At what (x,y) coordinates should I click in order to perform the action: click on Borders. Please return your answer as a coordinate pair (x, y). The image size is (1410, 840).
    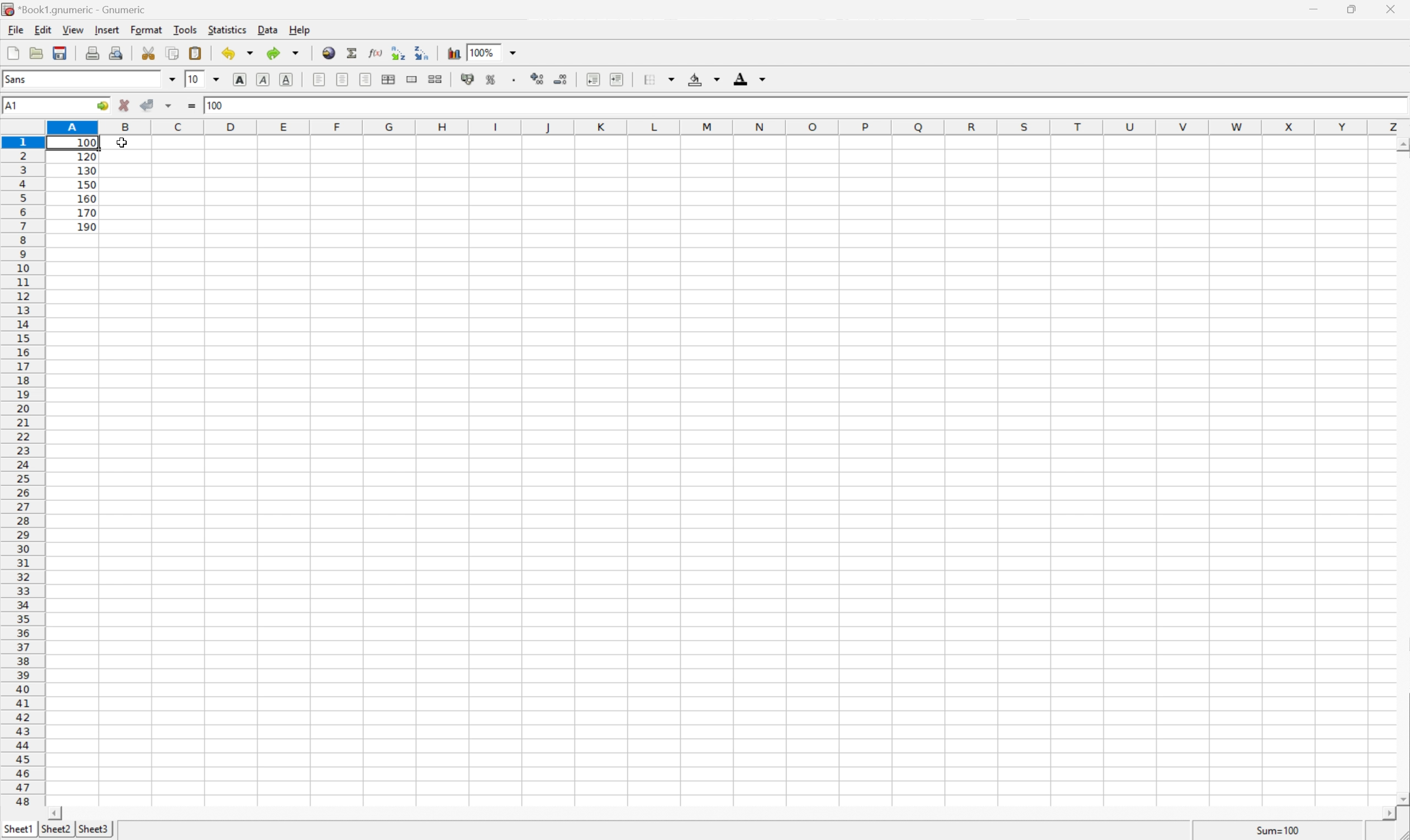
    Looking at the image, I should click on (657, 79).